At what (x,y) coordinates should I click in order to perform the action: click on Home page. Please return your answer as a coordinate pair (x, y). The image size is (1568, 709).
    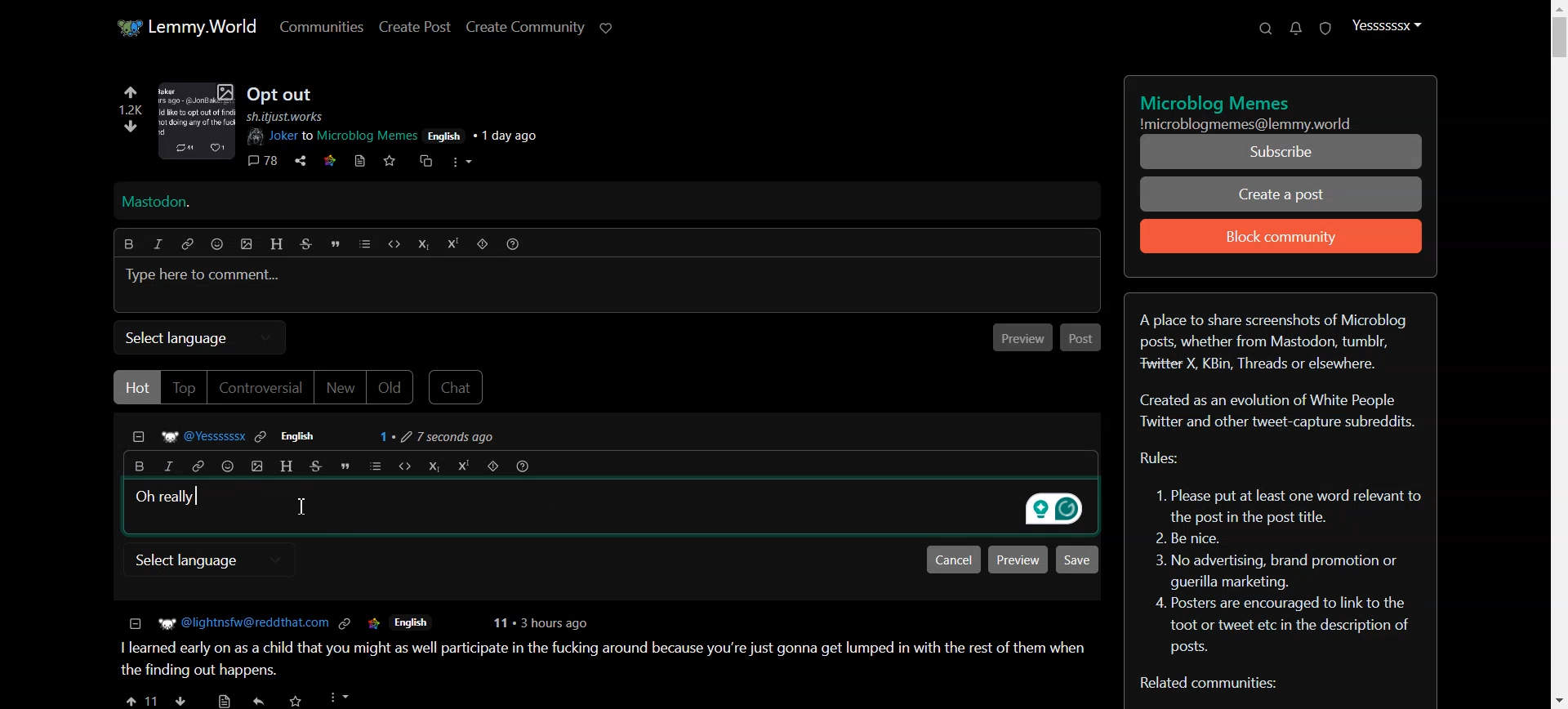
    Looking at the image, I should click on (186, 25).